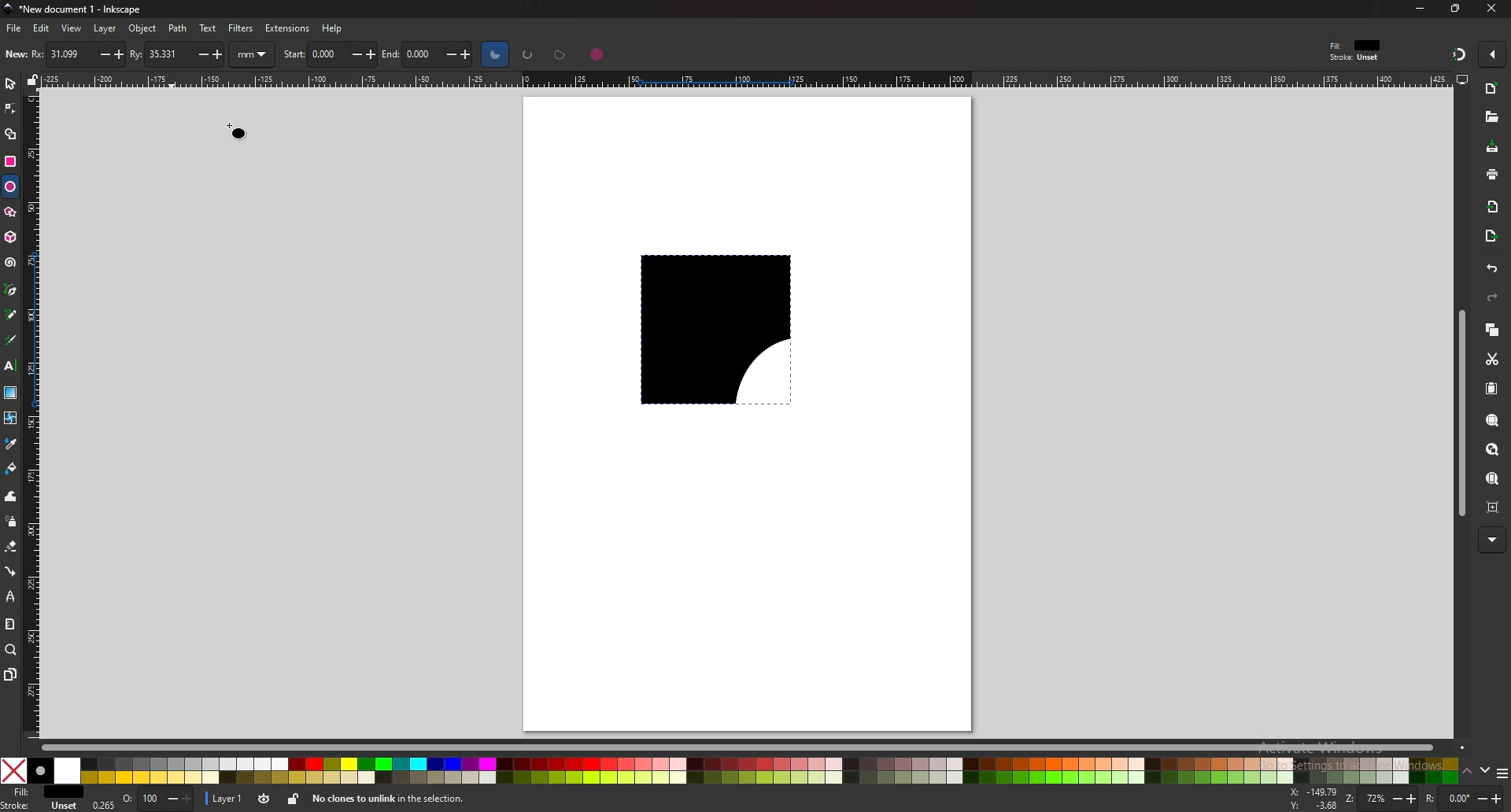 This screenshot has height=812, width=1511. What do you see at coordinates (743, 746) in the screenshot?
I see `scroll bar` at bounding box center [743, 746].